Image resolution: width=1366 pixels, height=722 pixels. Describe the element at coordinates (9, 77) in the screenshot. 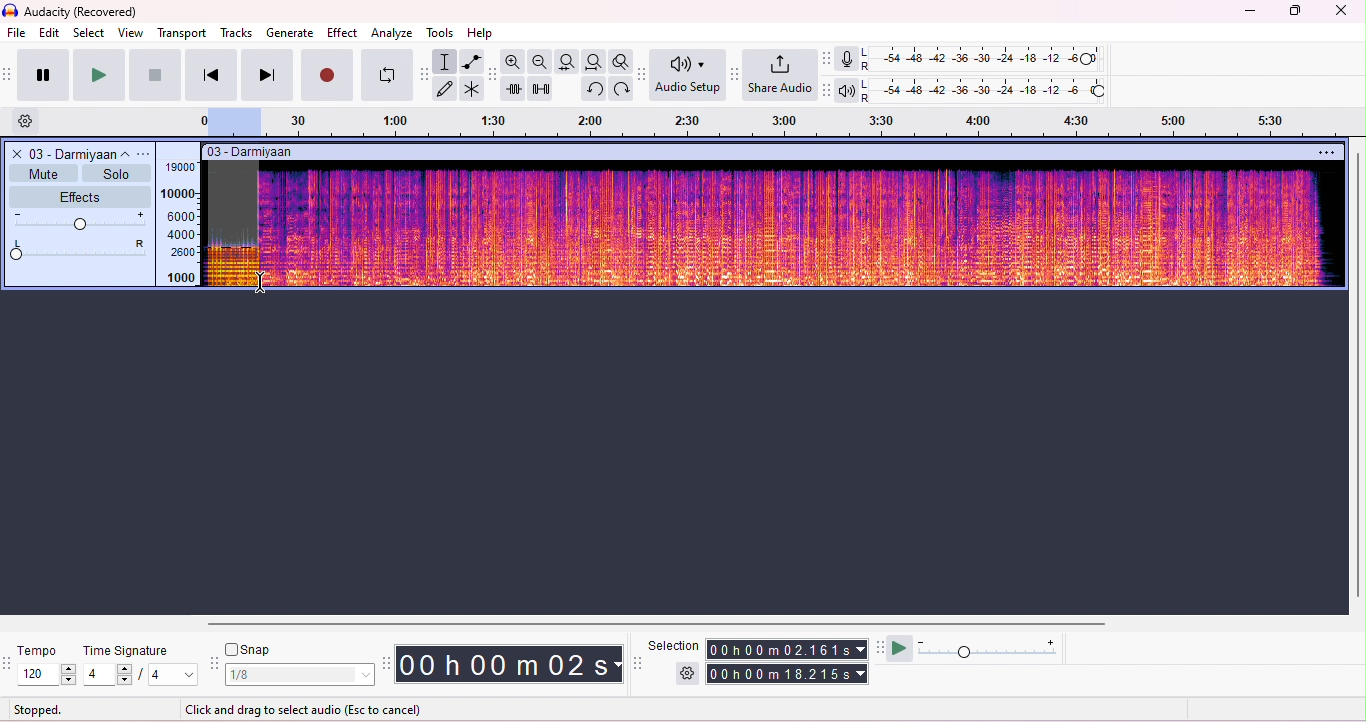

I see `transport toolbar` at that location.